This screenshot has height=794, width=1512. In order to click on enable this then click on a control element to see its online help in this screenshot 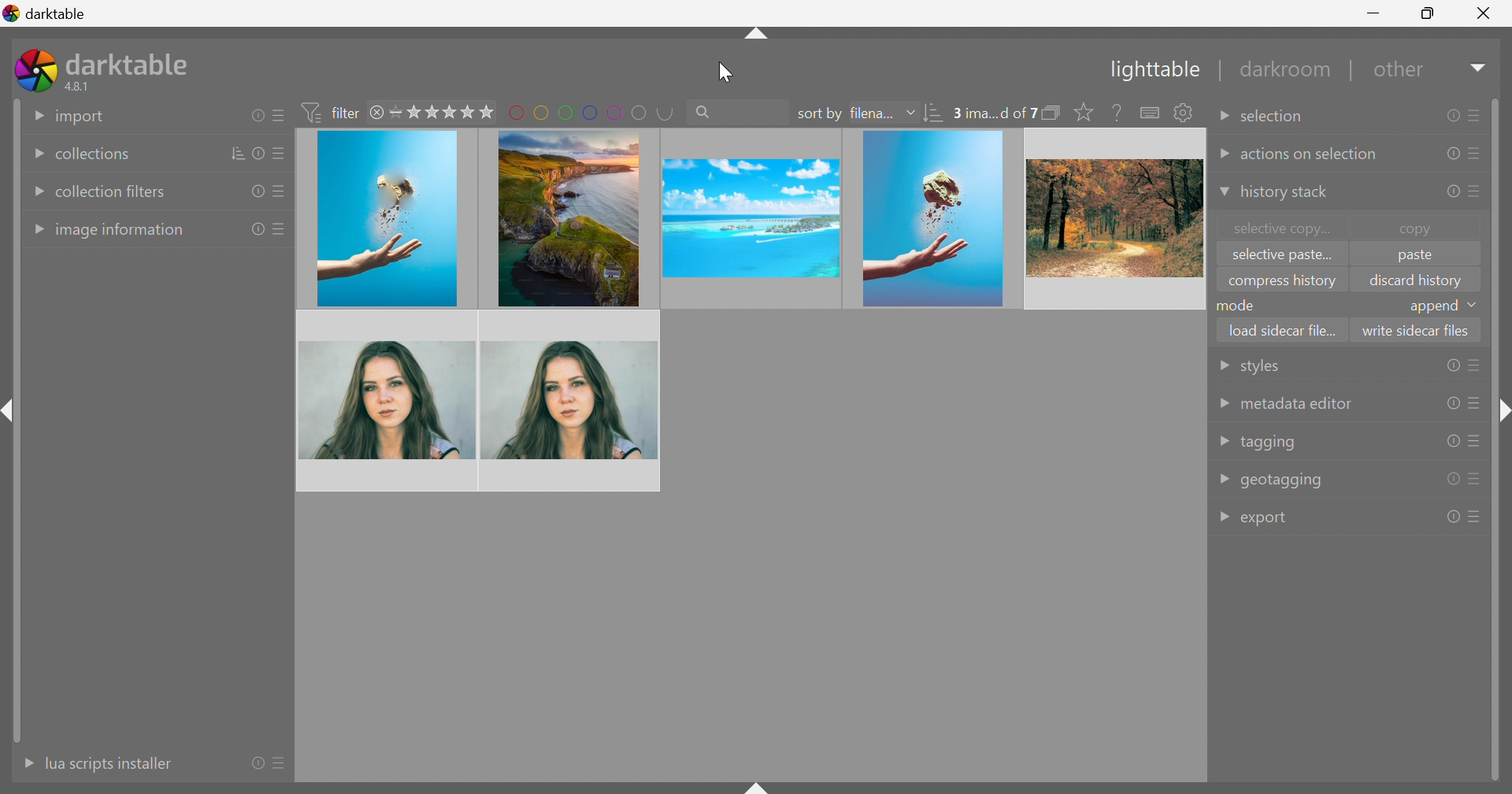, I will do `click(1117, 112)`.